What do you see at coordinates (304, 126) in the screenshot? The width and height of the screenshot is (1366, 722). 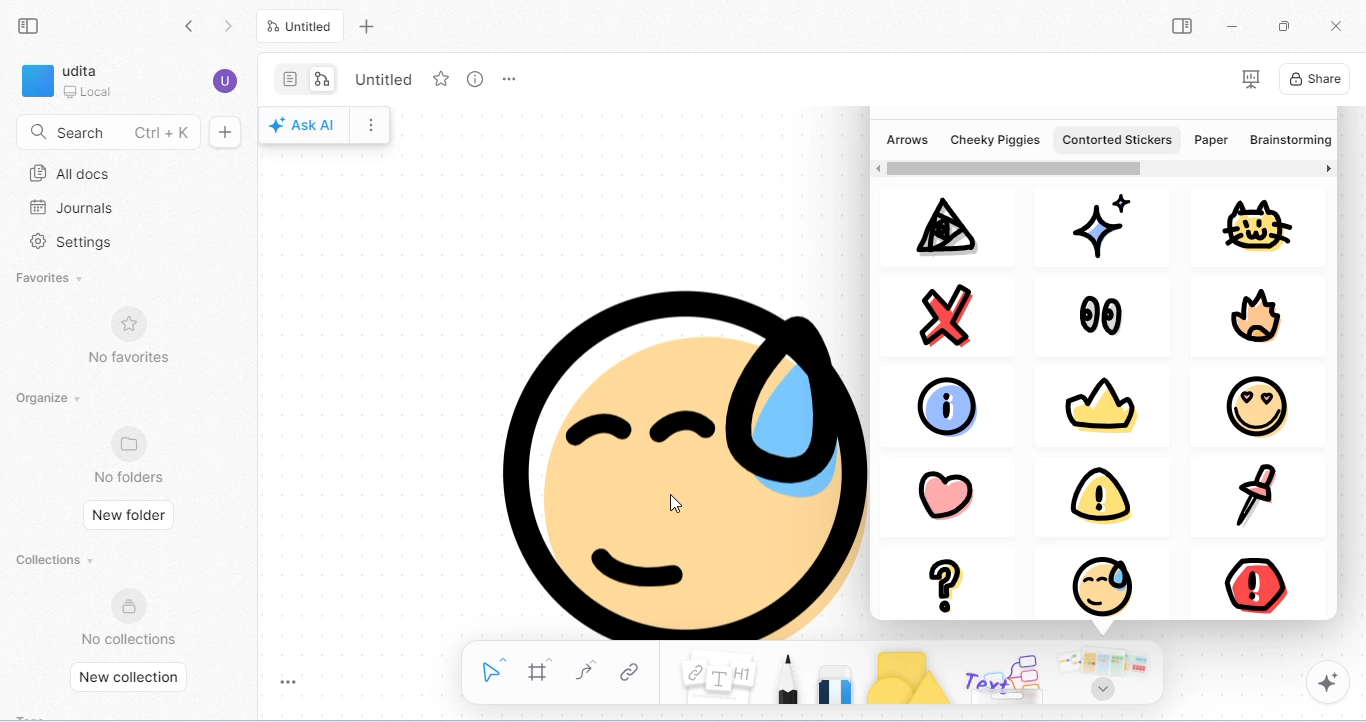 I see `Ask AI` at bounding box center [304, 126].